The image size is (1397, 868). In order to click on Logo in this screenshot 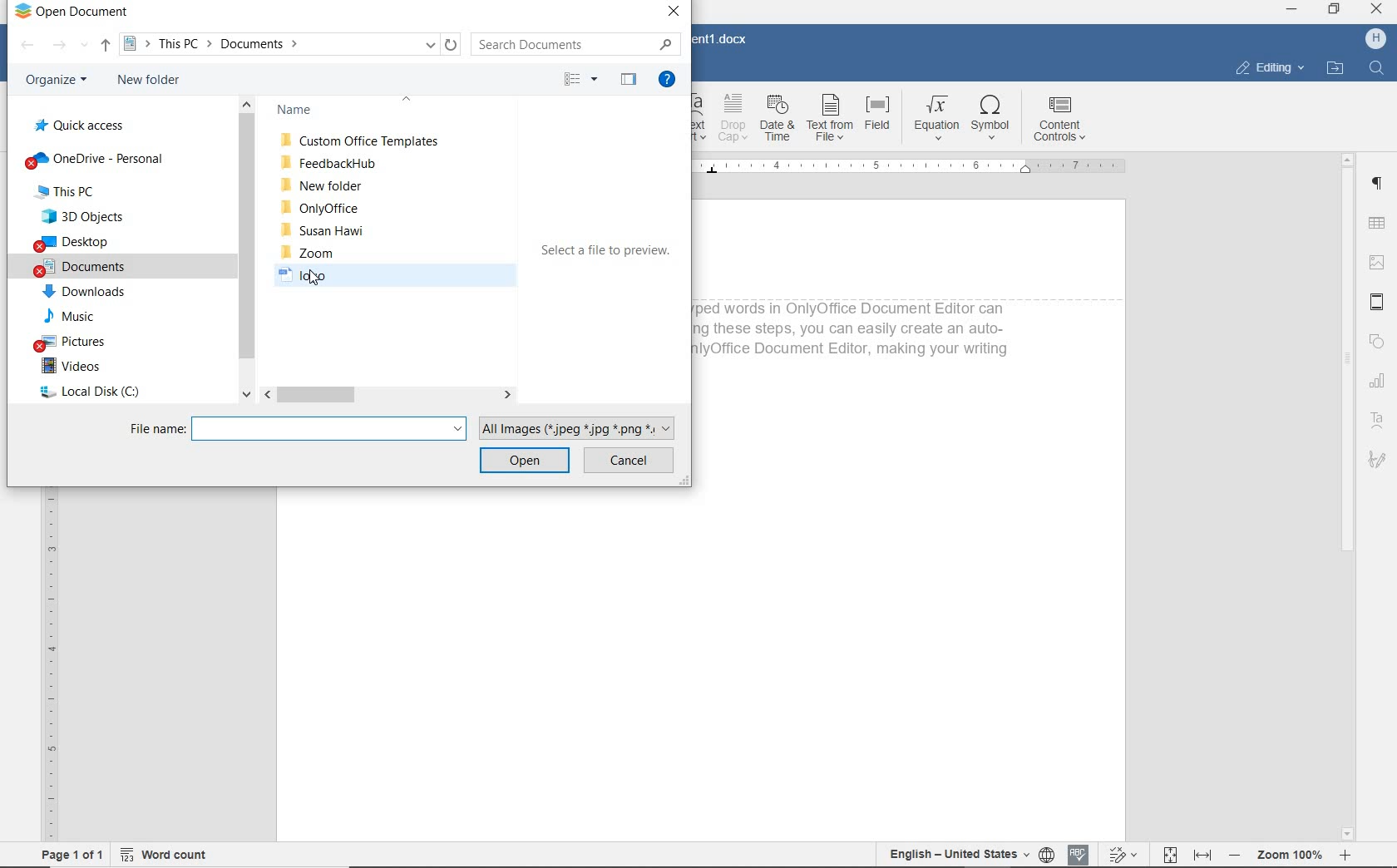, I will do `click(323, 277)`.